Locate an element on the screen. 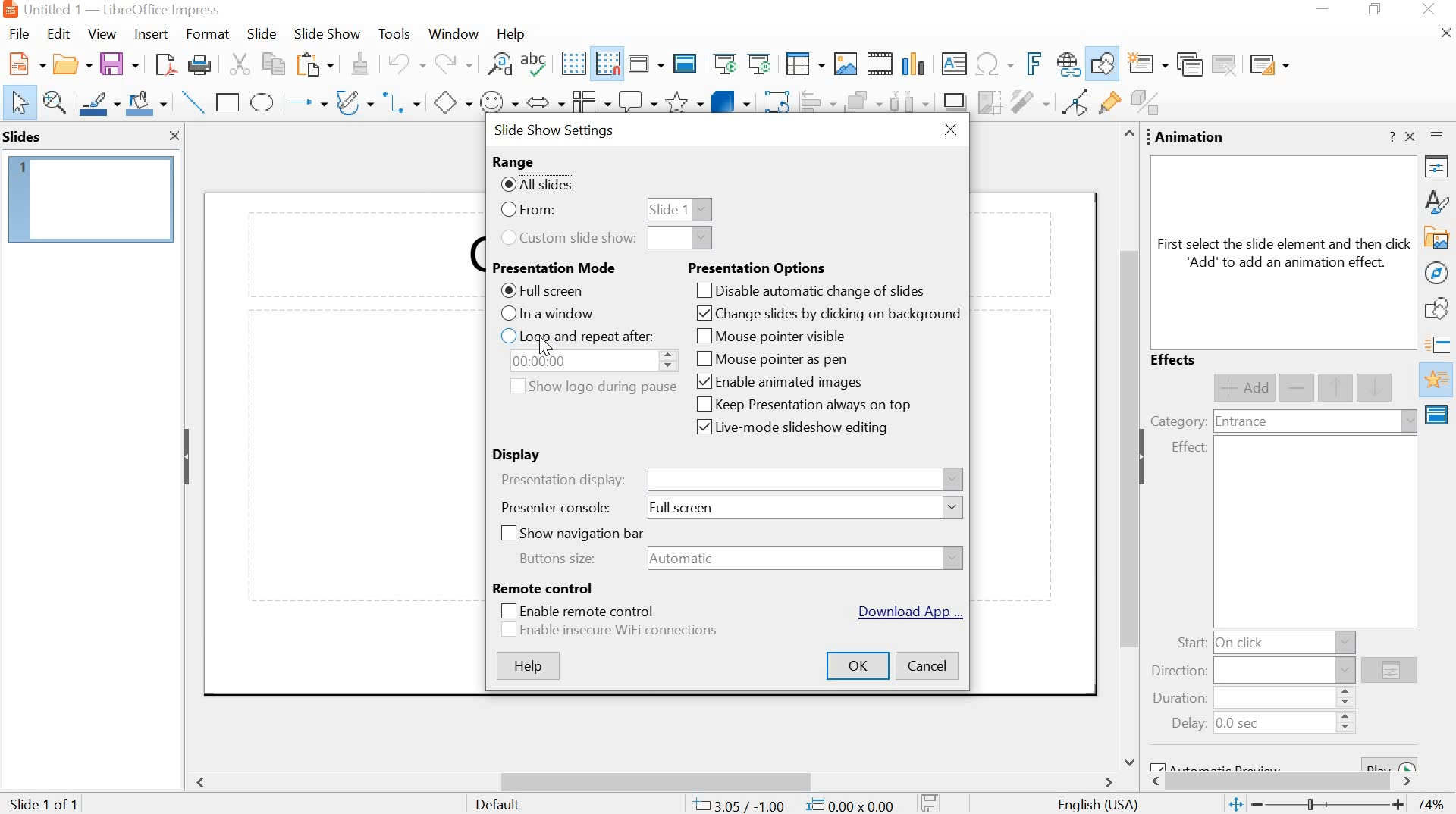 The image size is (1456, 814). minimize is located at coordinates (1326, 11).